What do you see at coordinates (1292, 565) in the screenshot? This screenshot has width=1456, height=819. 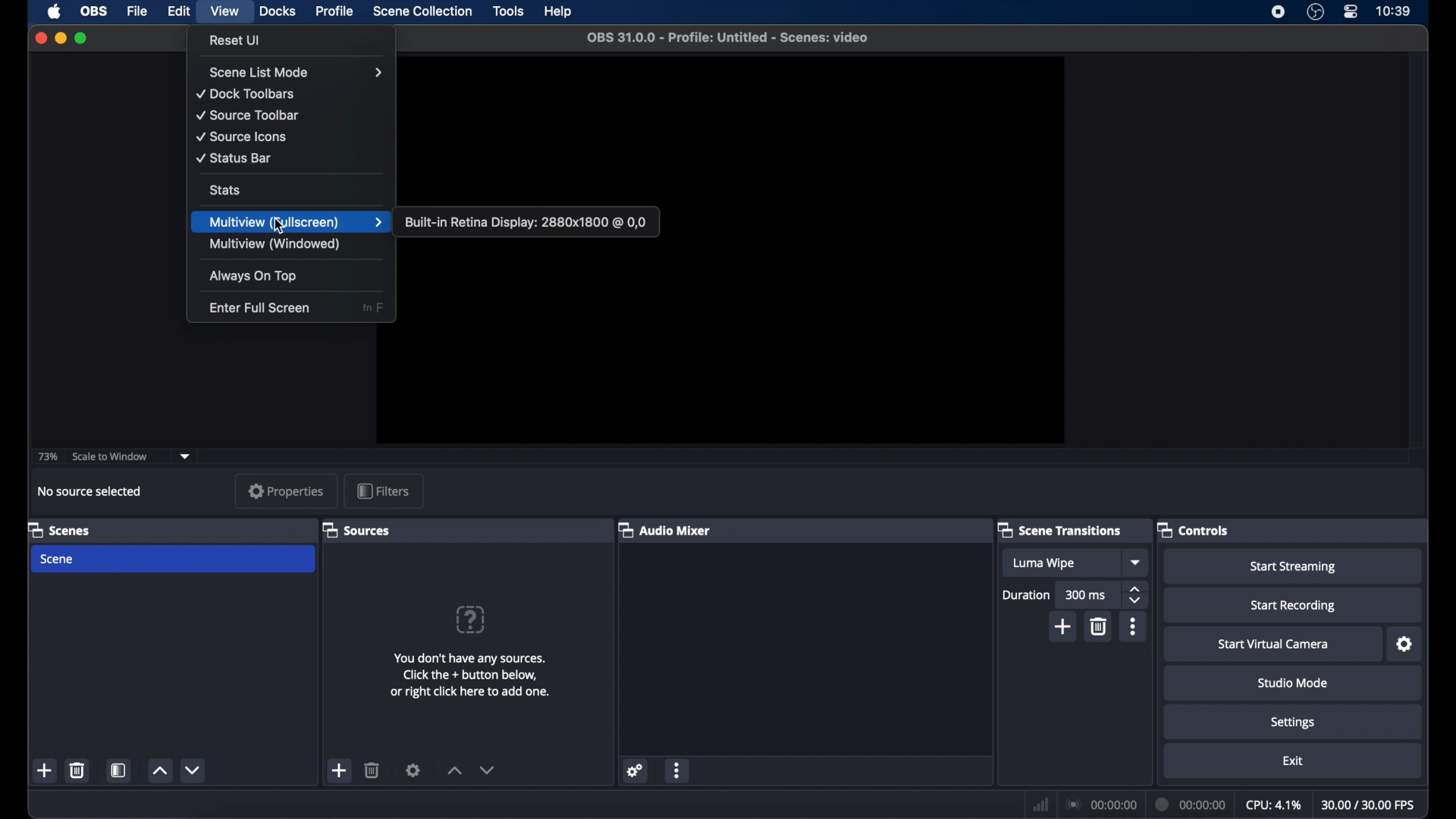 I see `Start Streaming` at bounding box center [1292, 565].